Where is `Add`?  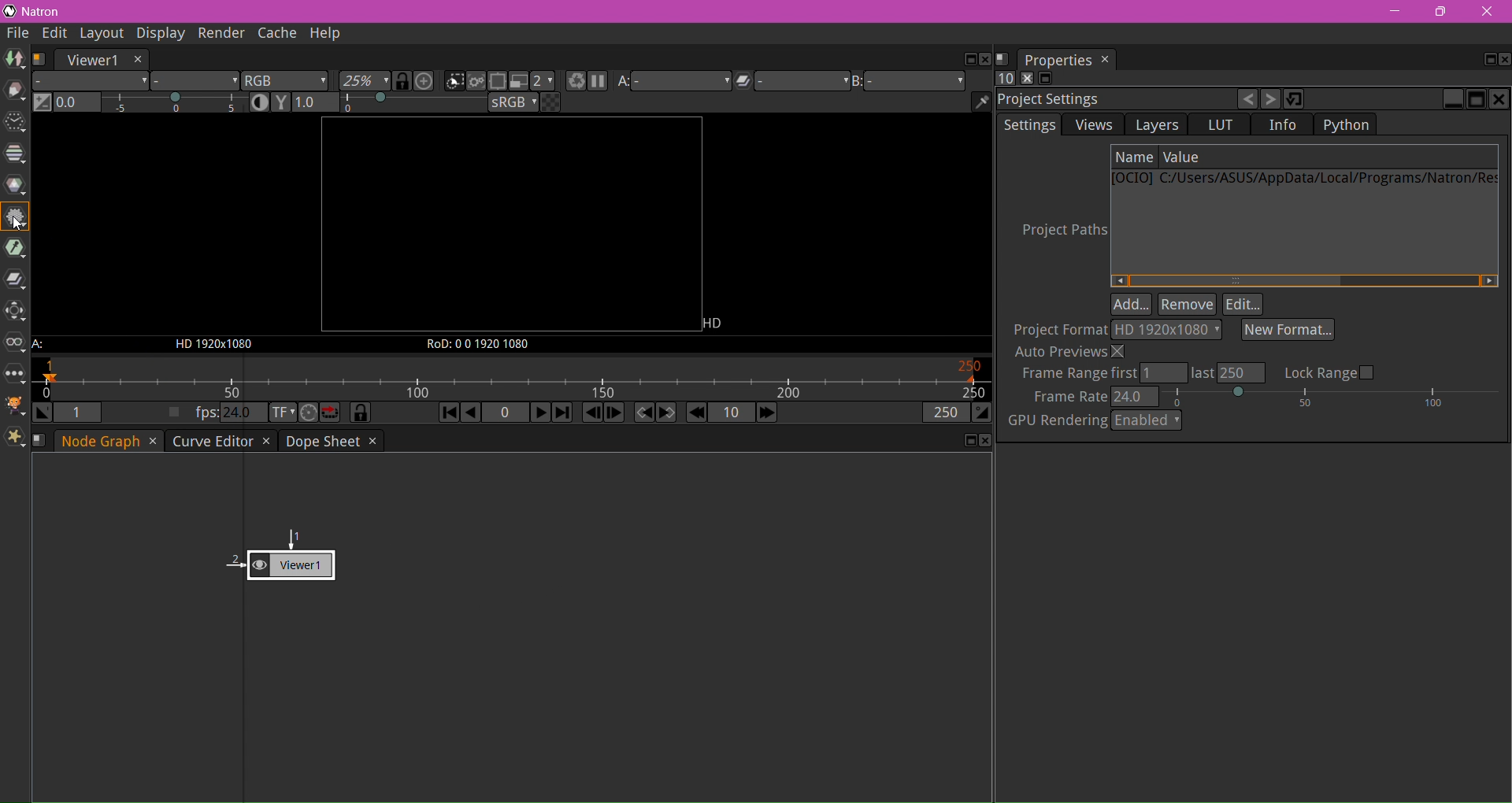
Add is located at coordinates (1132, 305).